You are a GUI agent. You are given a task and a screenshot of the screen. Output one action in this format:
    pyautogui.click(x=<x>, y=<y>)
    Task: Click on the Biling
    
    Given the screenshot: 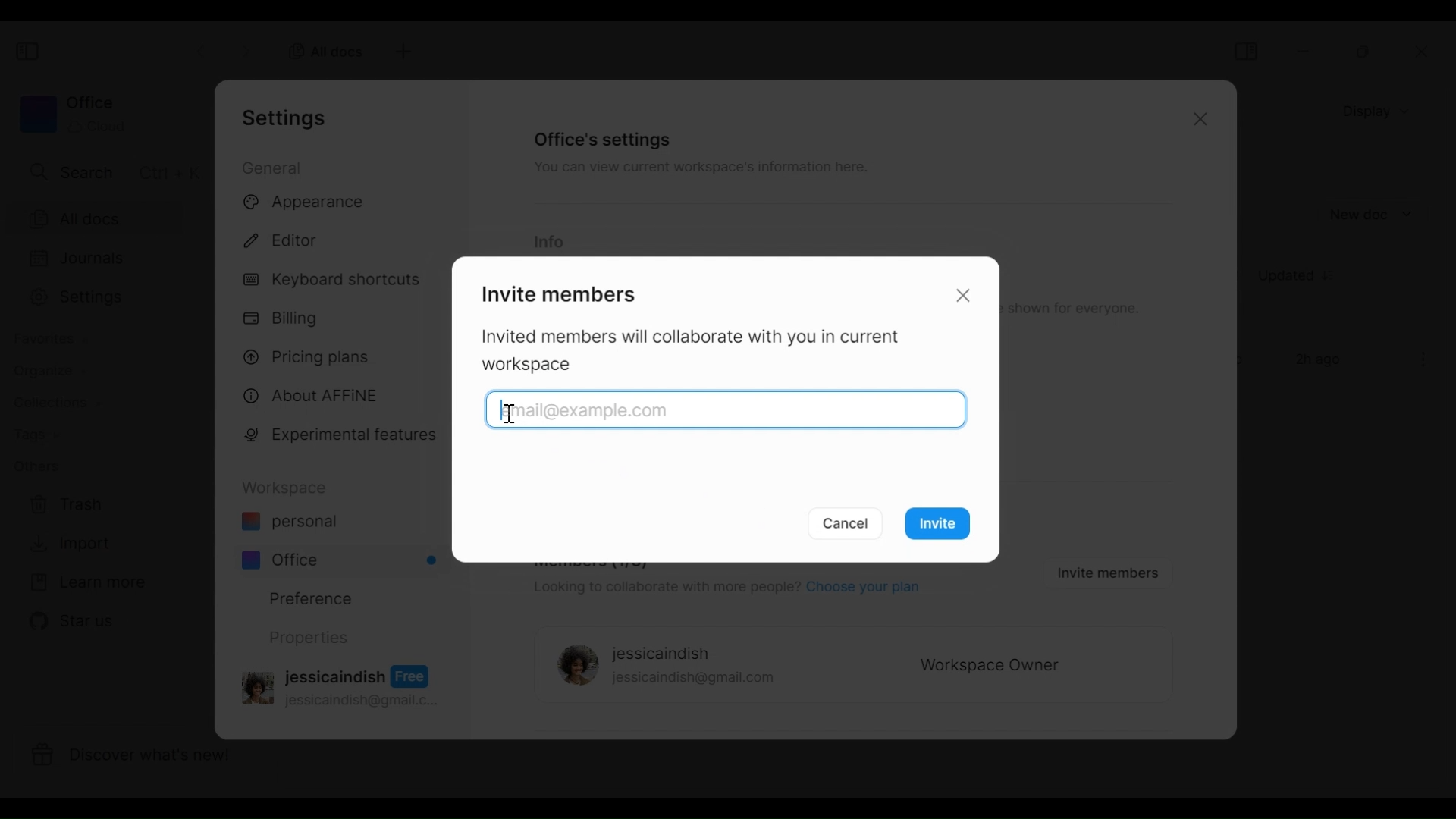 What is the action you would take?
    pyautogui.click(x=284, y=319)
    